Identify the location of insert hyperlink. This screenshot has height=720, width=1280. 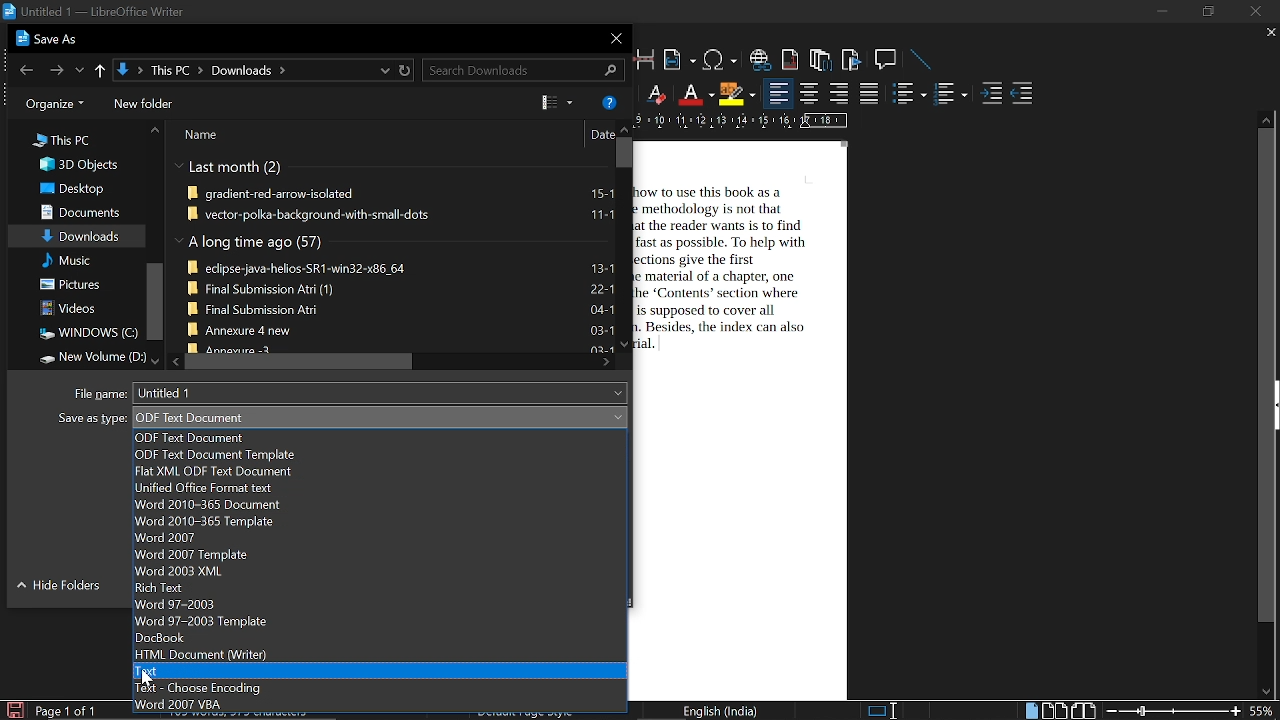
(761, 60).